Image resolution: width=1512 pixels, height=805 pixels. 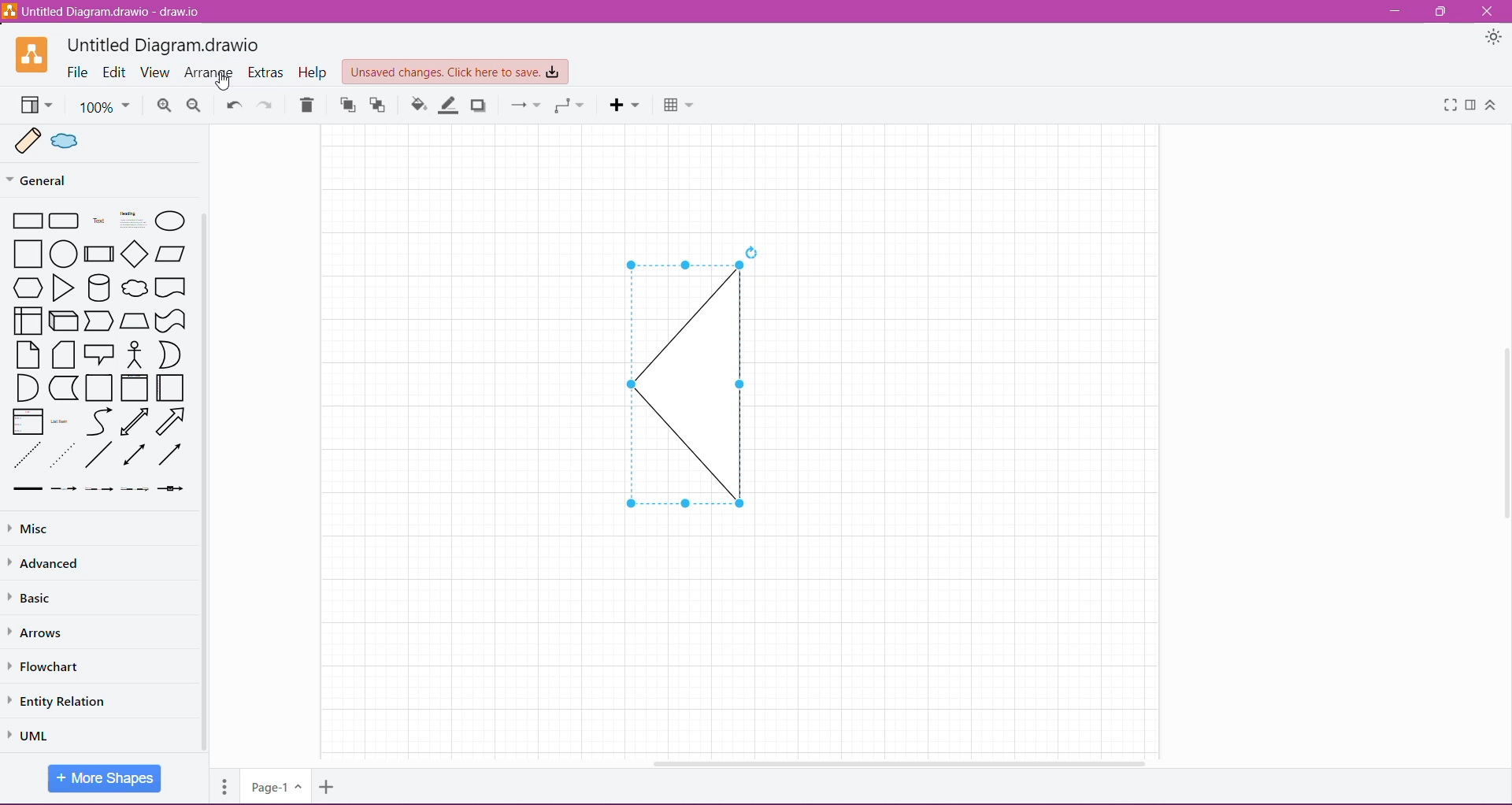 I want to click on Fullscreen, so click(x=1448, y=106).